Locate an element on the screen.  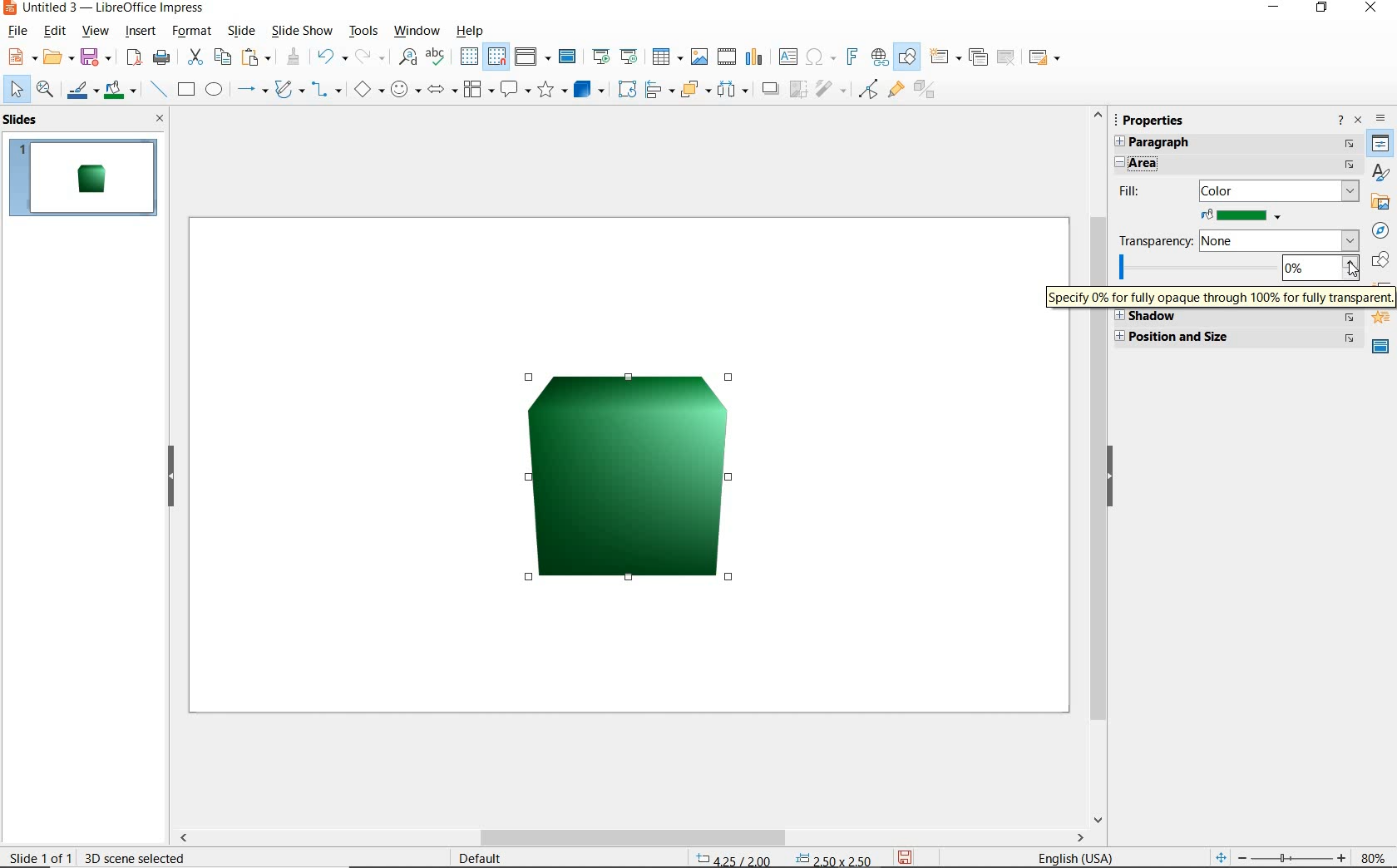
redo is located at coordinates (371, 57).